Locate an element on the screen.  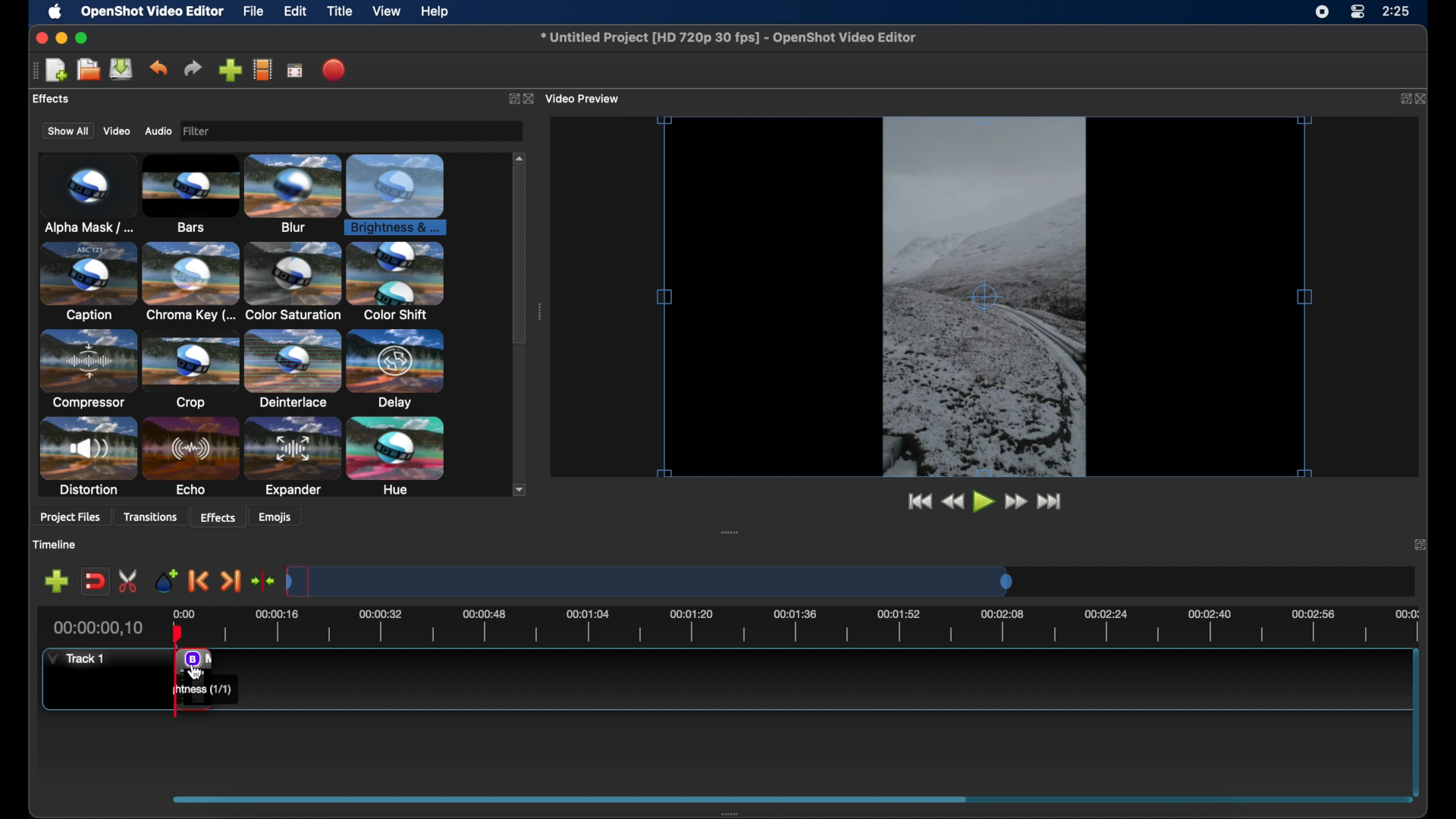
show all is located at coordinates (67, 130).